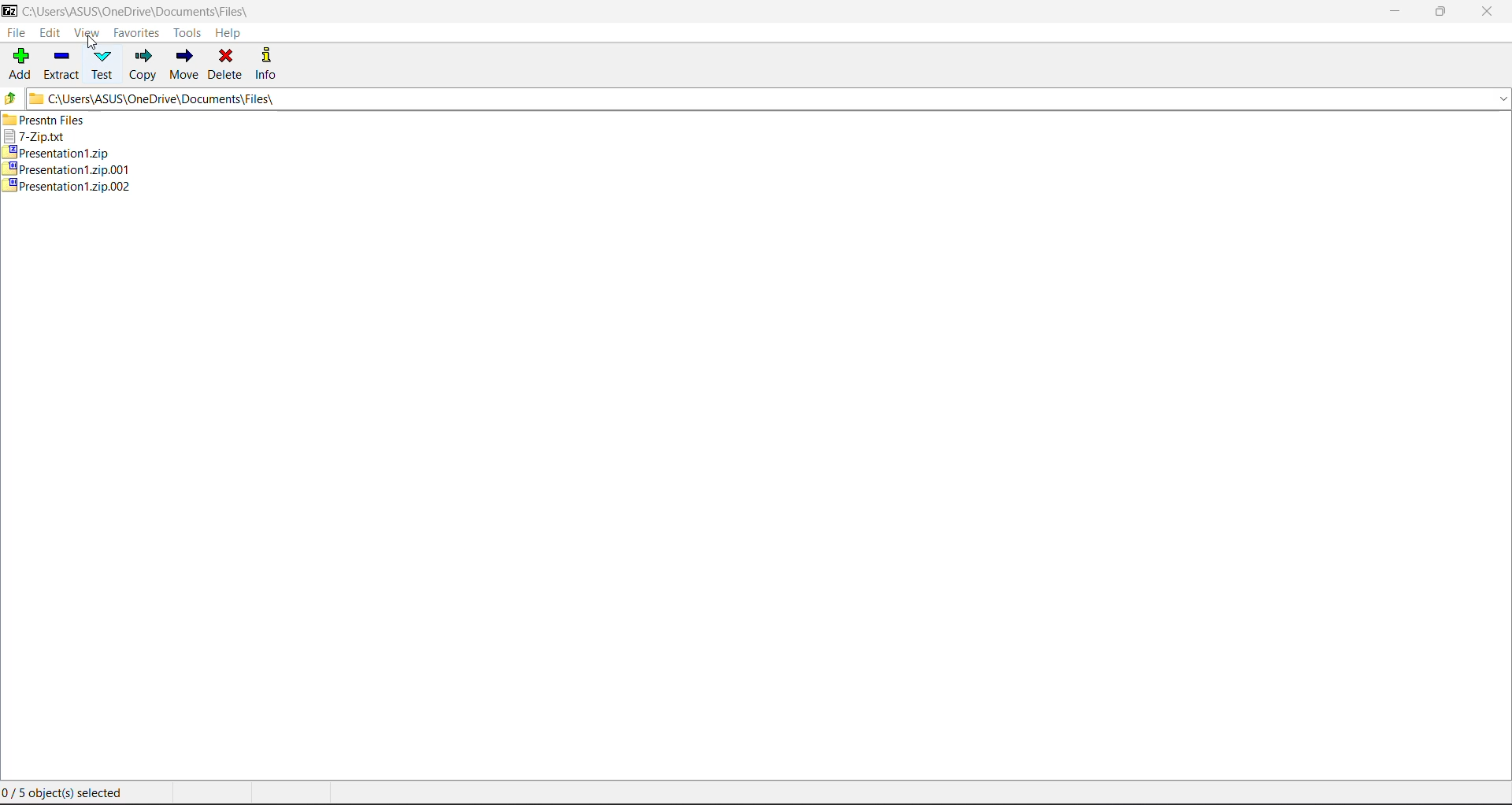 The height and width of the screenshot is (805, 1512). What do you see at coordinates (1487, 13) in the screenshot?
I see `Close` at bounding box center [1487, 13].